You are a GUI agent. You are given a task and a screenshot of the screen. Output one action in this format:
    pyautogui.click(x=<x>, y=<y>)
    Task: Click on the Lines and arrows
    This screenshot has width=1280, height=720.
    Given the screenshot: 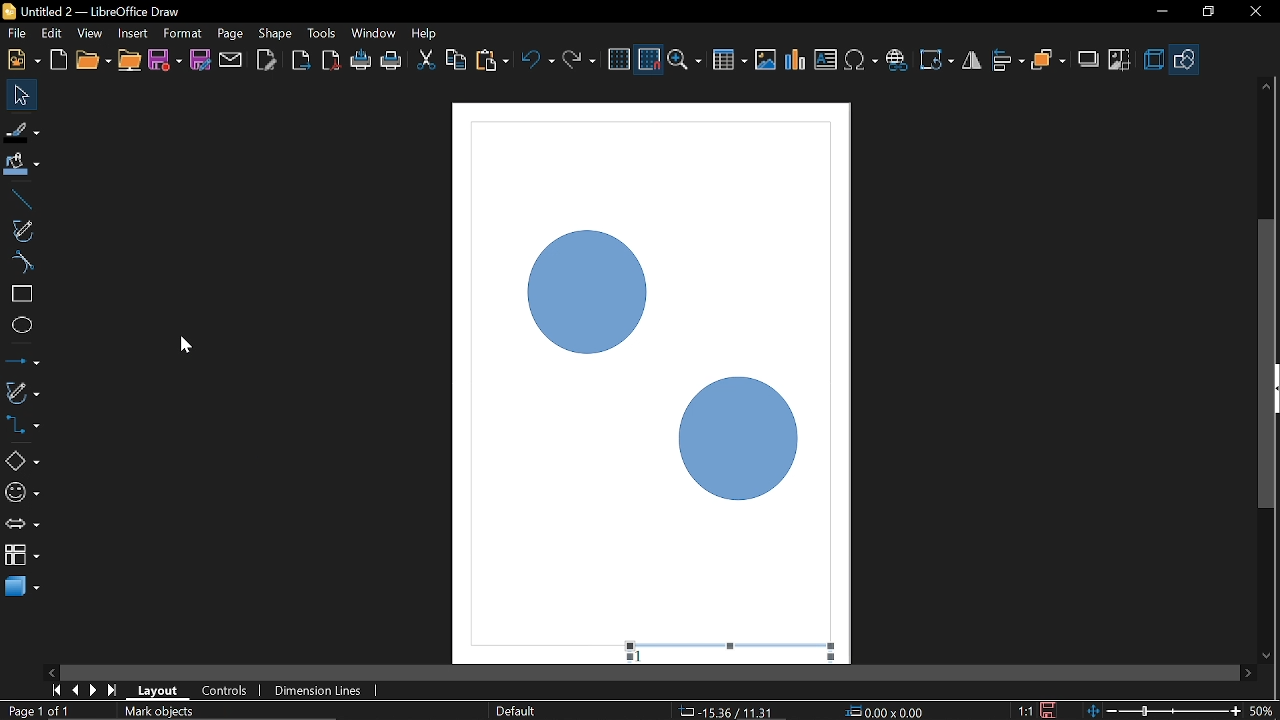 What is the action you would take?
    pyautogui.click(x=22, y=363)
    